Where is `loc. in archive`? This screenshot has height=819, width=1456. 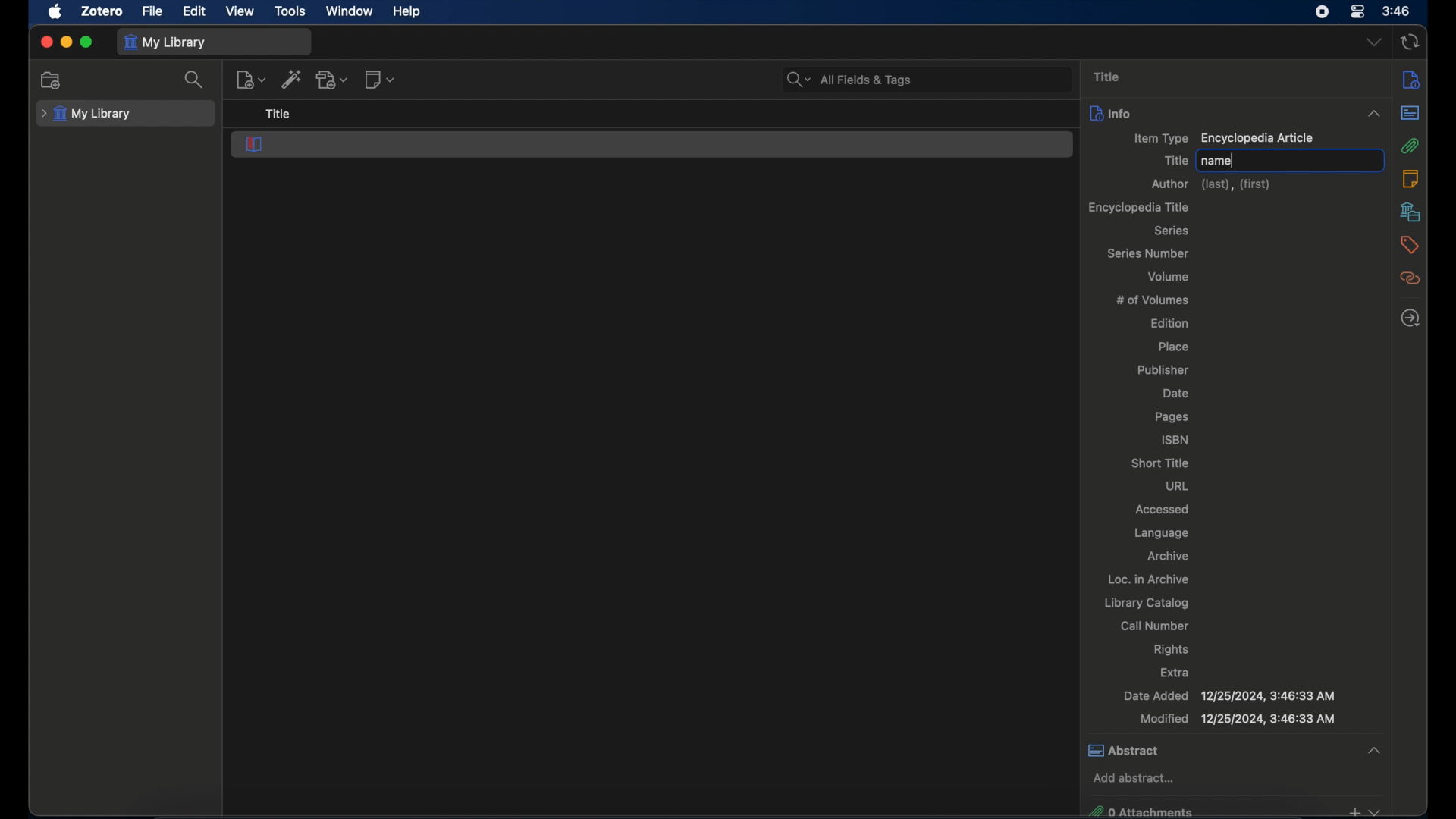
loc. in archive is located at coordinates (1148, 579).